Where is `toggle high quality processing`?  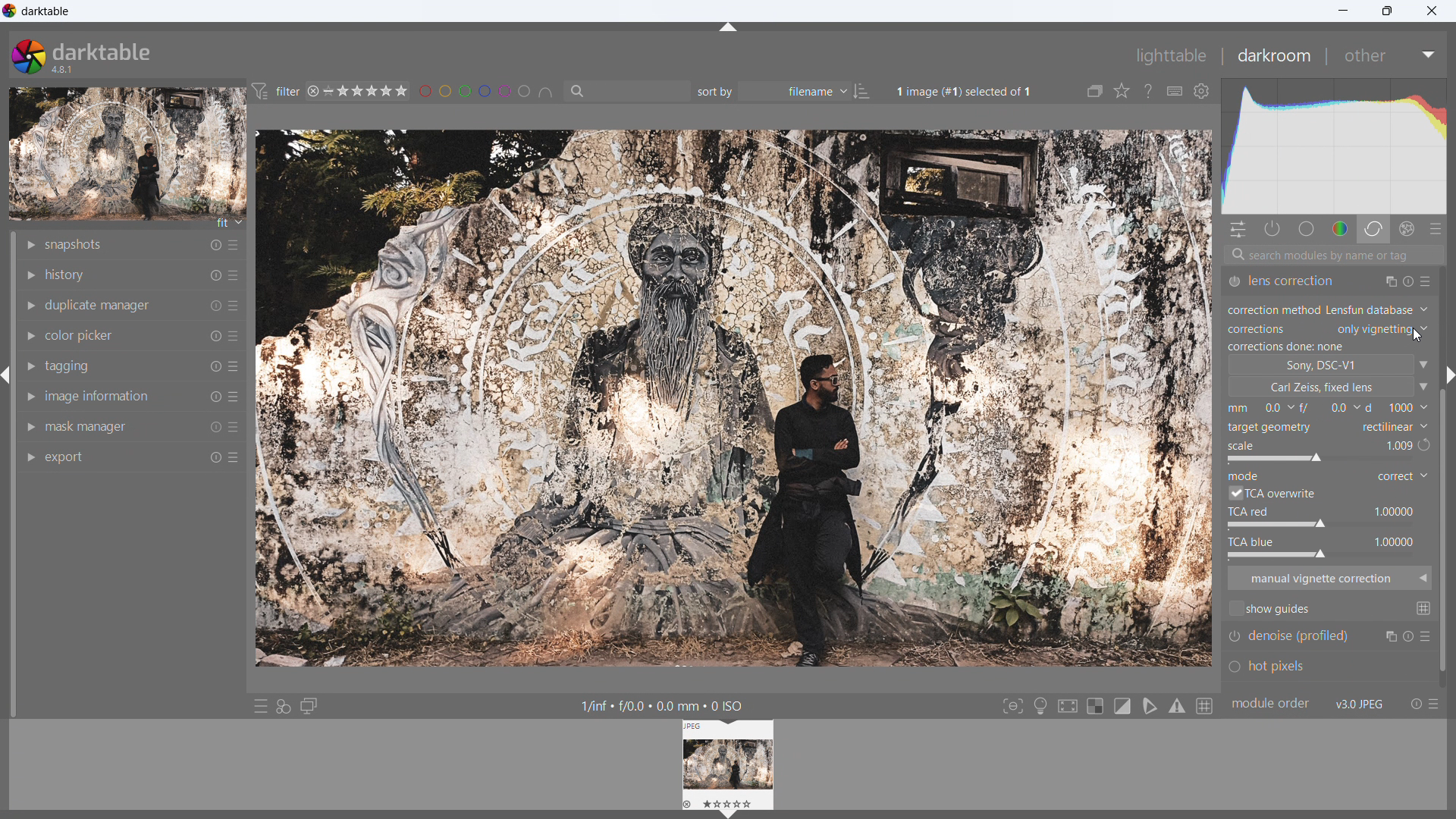 toggle high quality processing is located at coordinates (1068, 706).